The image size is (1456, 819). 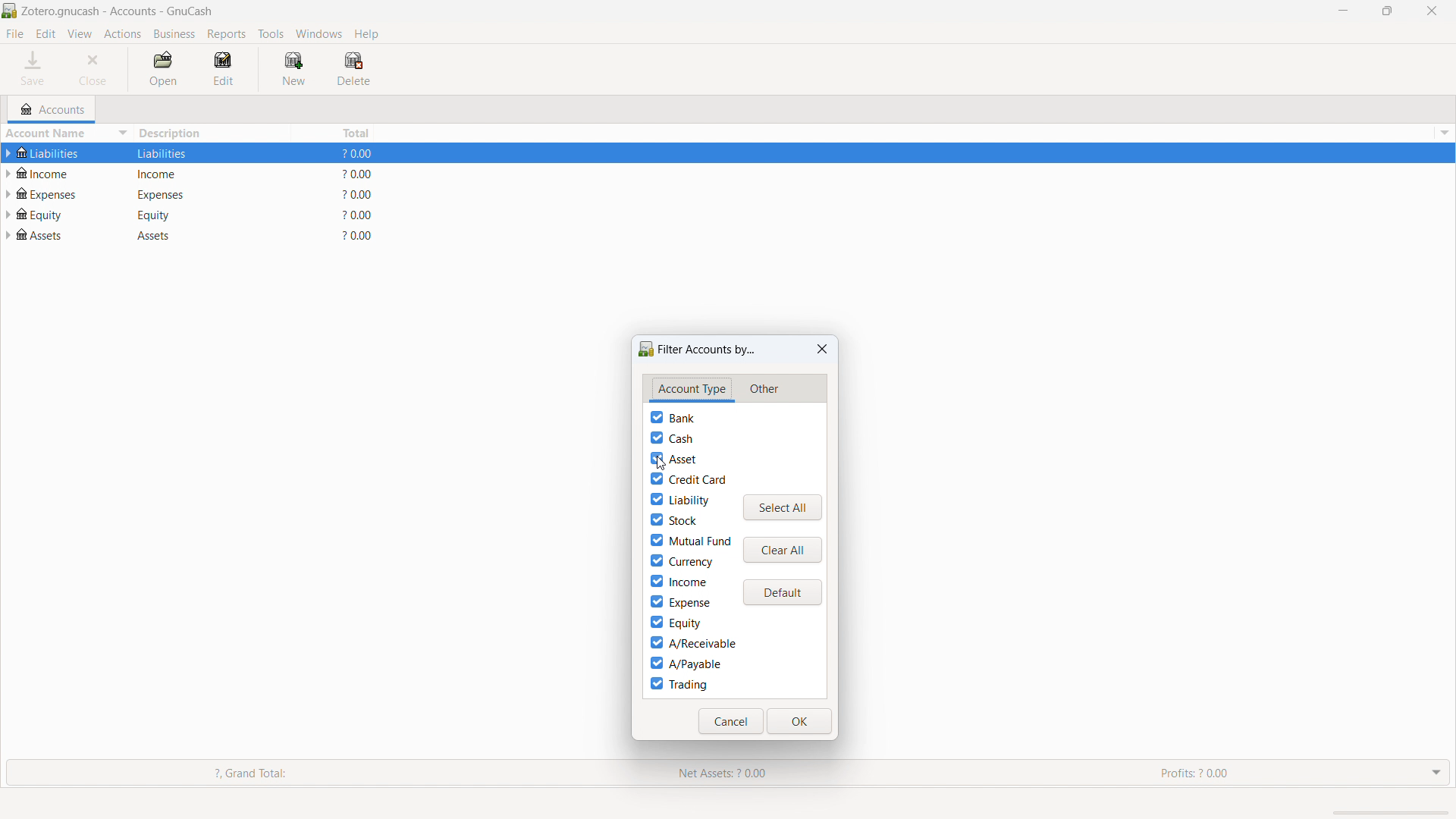 I want to click on view, so click(x=80, y=34).